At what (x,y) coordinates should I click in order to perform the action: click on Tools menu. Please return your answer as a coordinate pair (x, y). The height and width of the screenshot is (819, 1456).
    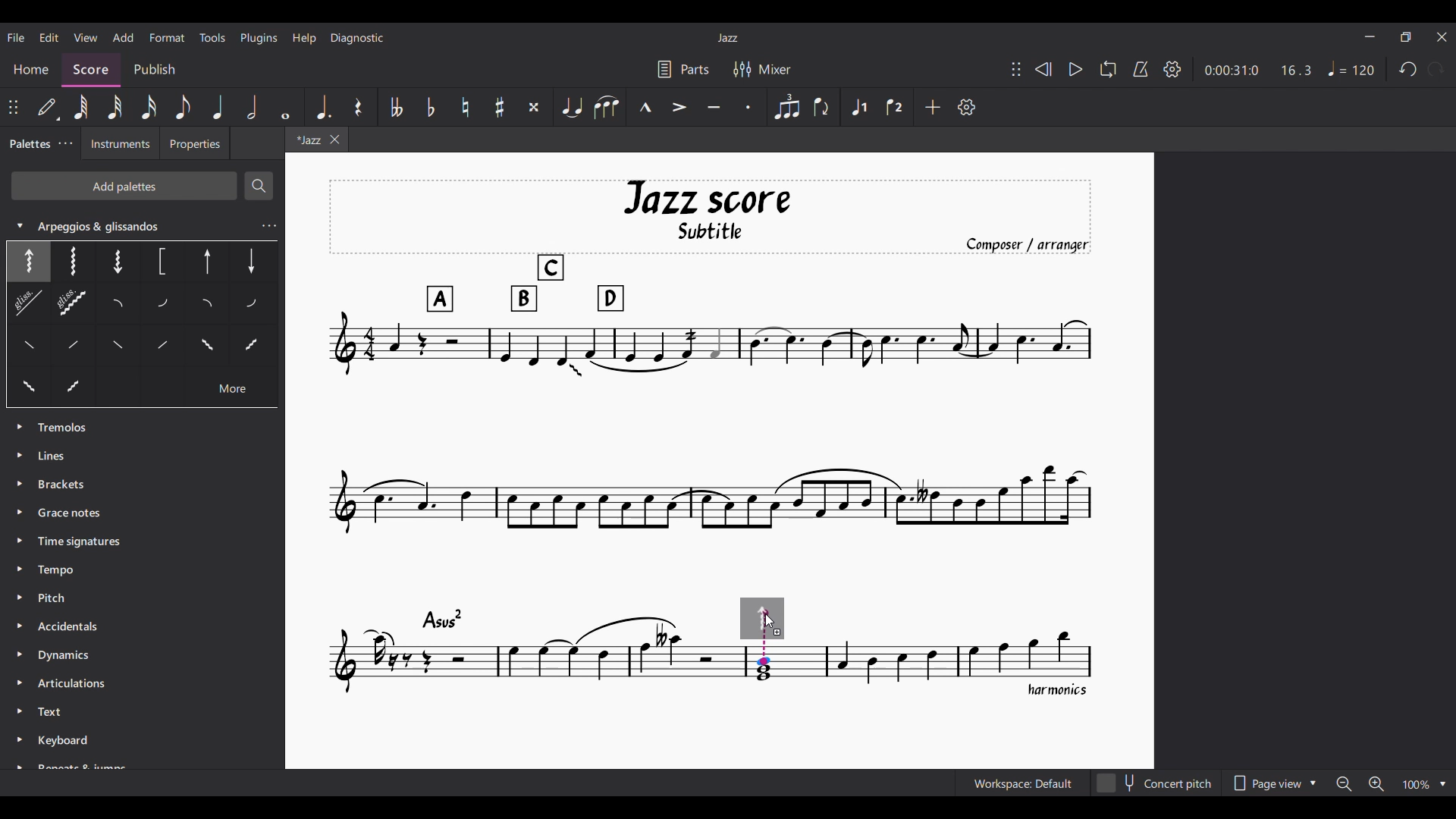
    Looking at the image, I should click on (212, 37).